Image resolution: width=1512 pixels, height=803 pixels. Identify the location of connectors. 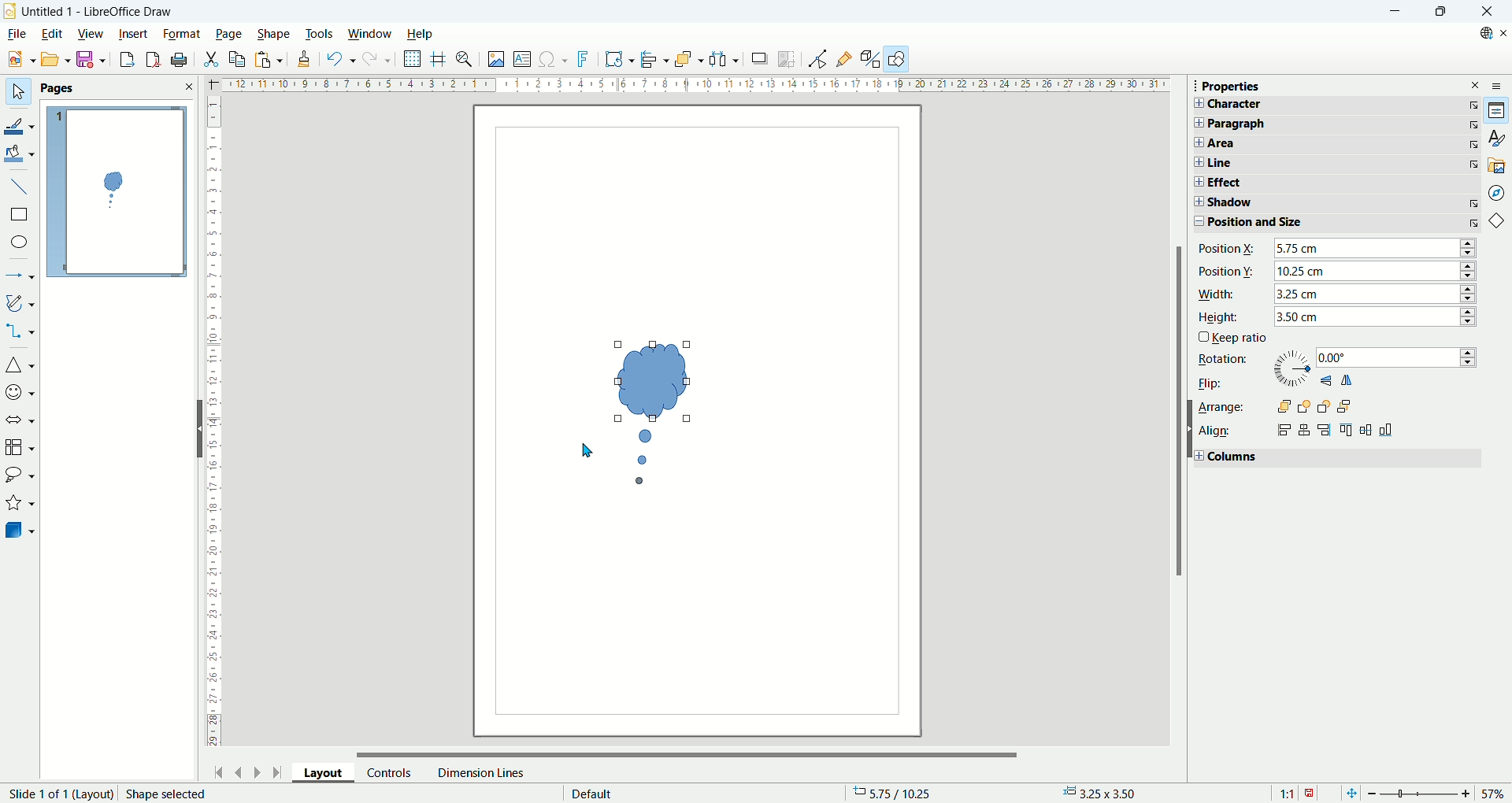
(20, 332).